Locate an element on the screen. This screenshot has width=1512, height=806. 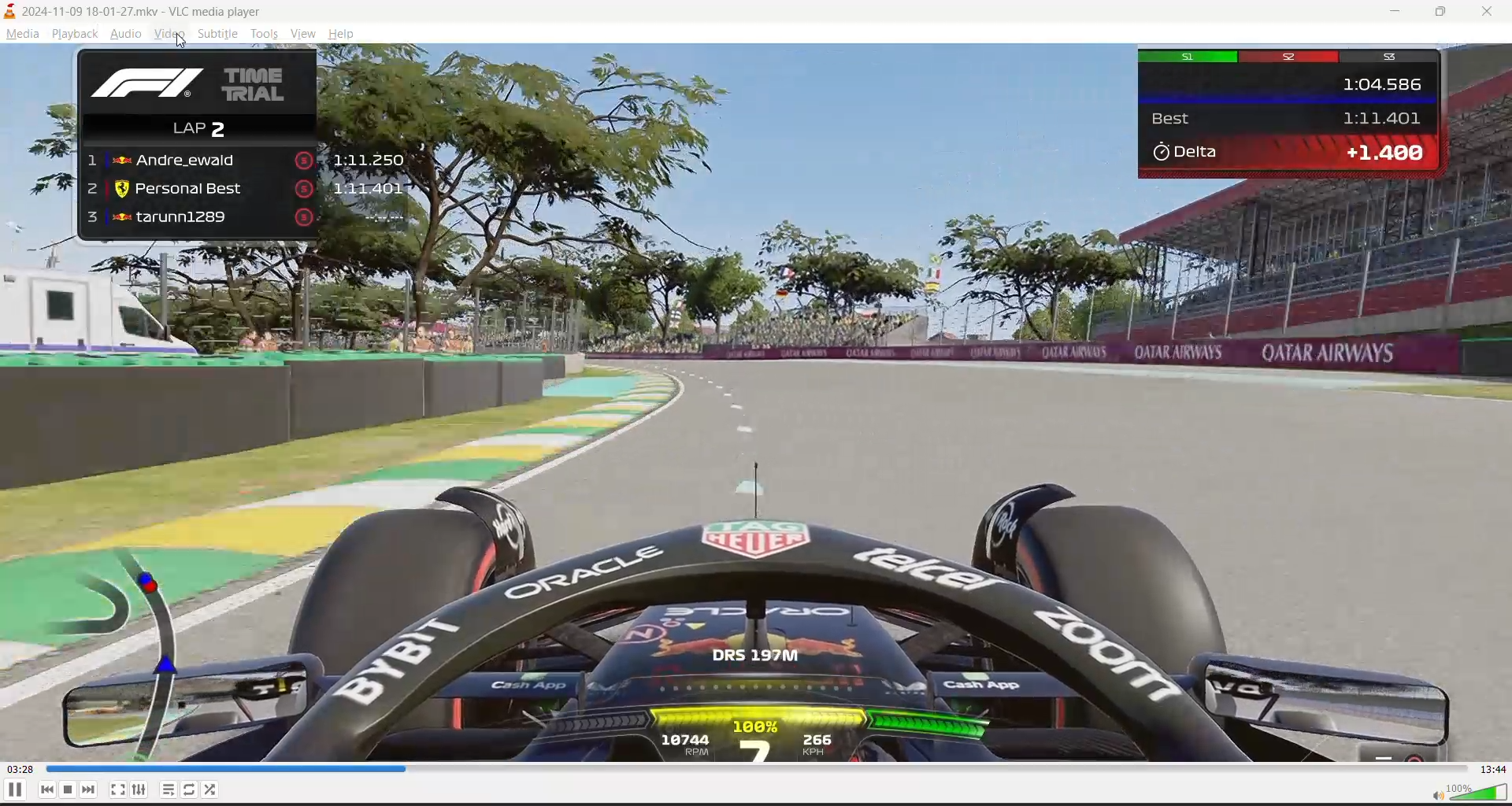
maximize is located at coordinates (1444, 13).